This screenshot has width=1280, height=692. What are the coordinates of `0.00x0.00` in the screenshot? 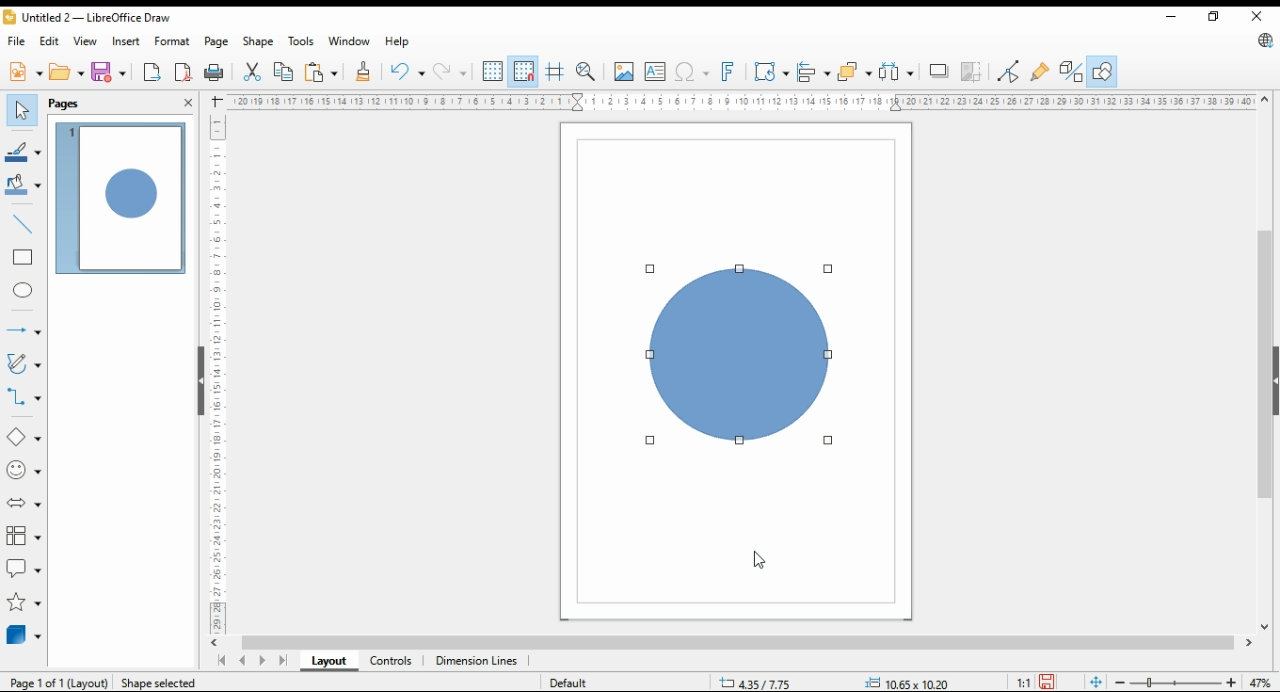 It's located at (904, 683).